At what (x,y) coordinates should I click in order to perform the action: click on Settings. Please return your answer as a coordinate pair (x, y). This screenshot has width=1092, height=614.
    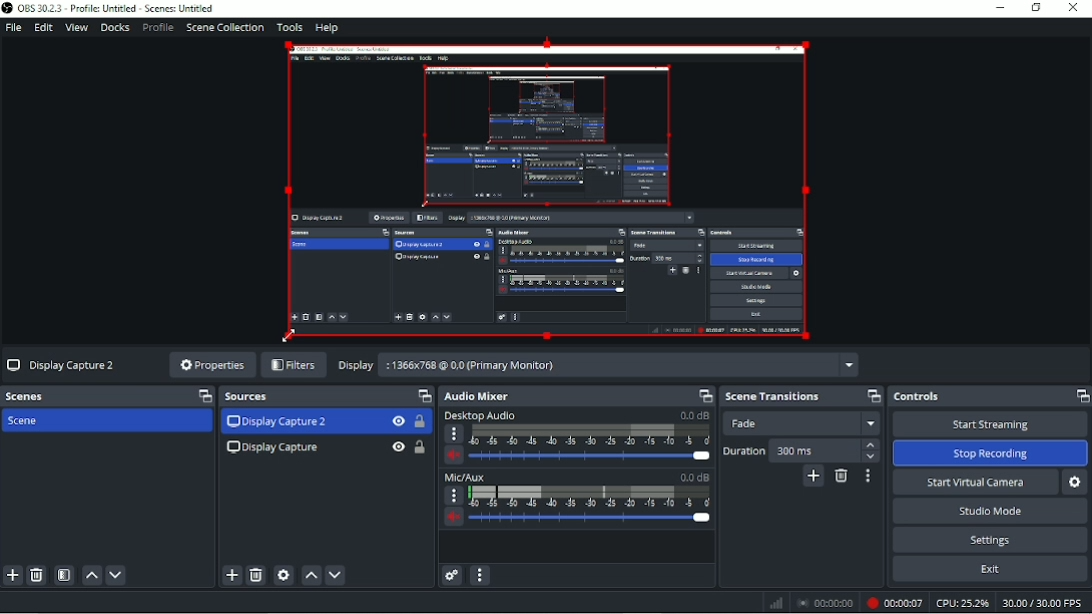
    Looking at the image, I should click on (992, 539).